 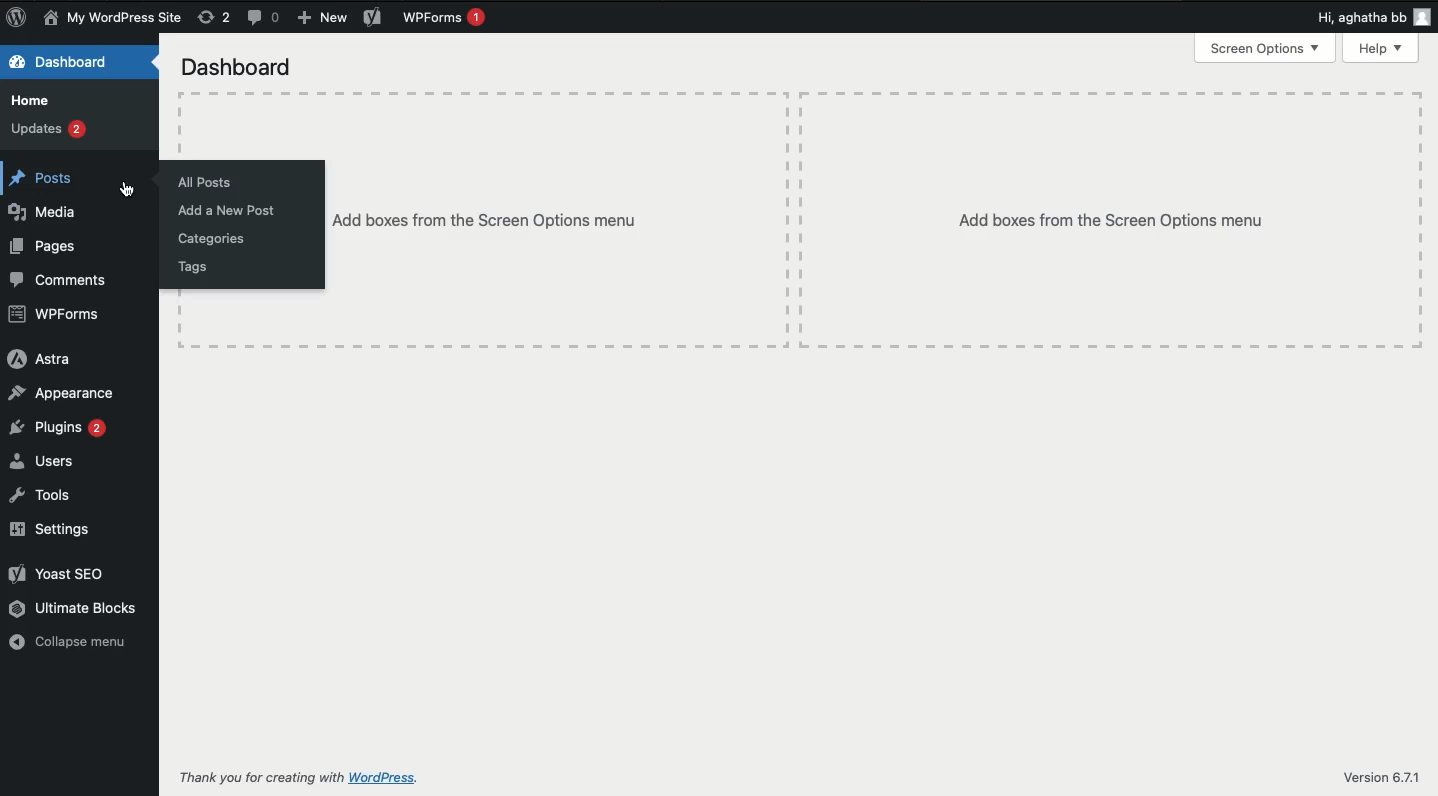 I want to click on Thank you for creating with WordPress, so click(x=261, y=777).